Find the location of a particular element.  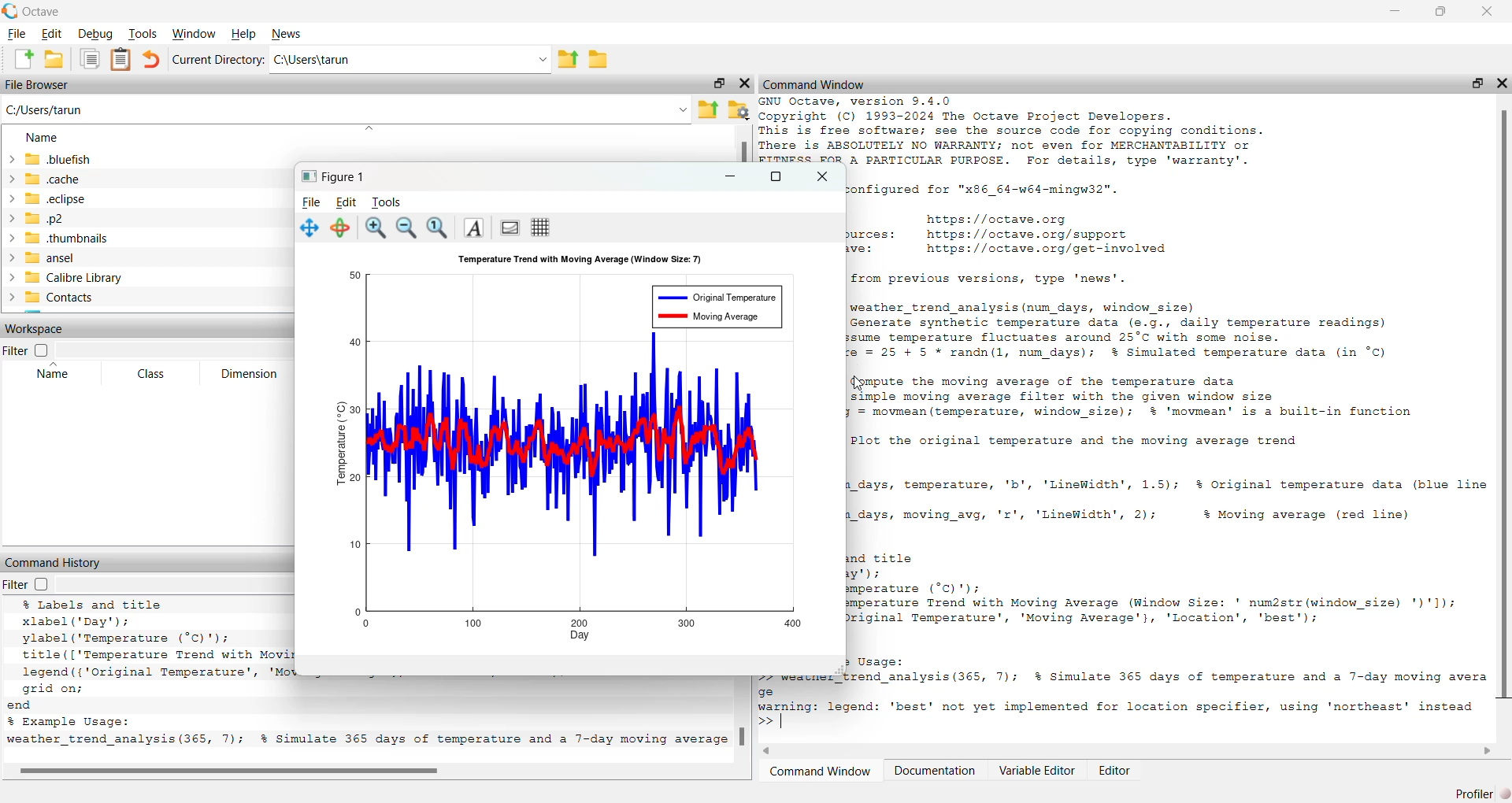

back is located at coordinates (151, 62).